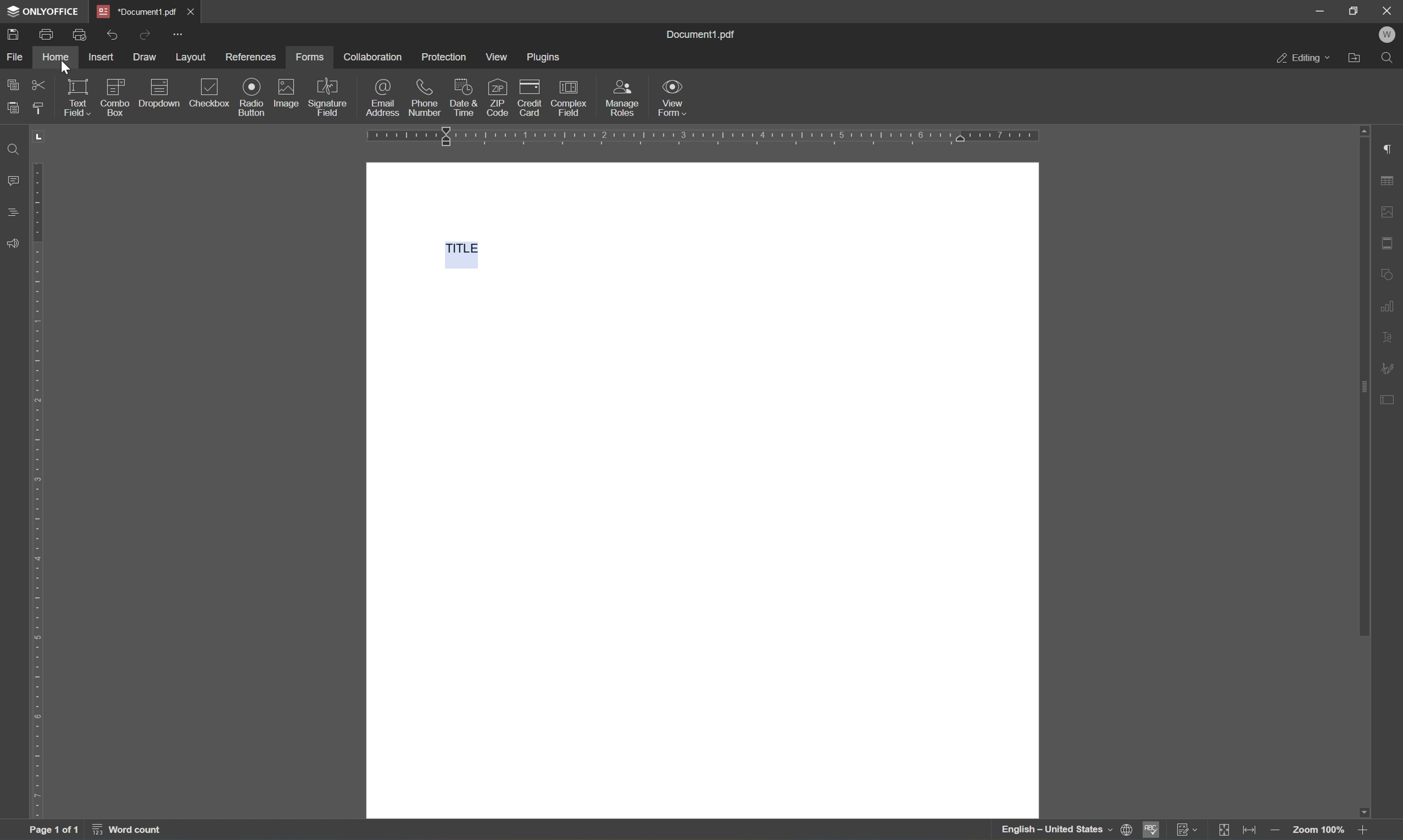 This screenshot has width=1403, height=840. What do you see at coordinates (701, 136) in the screenshot?
I see `ruler` at bounding box center [701, 136].